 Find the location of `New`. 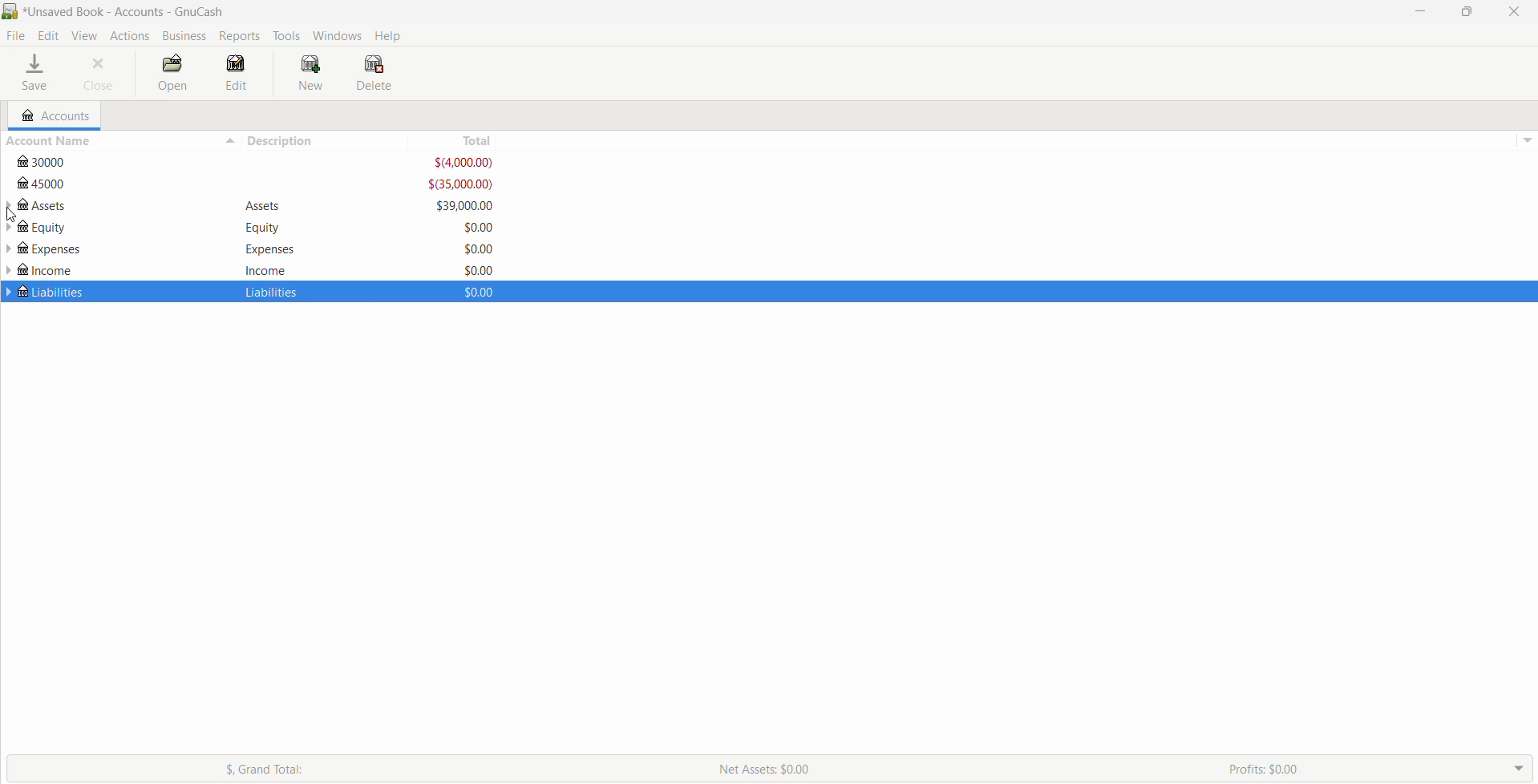

New is located at coordinates (311, 72).